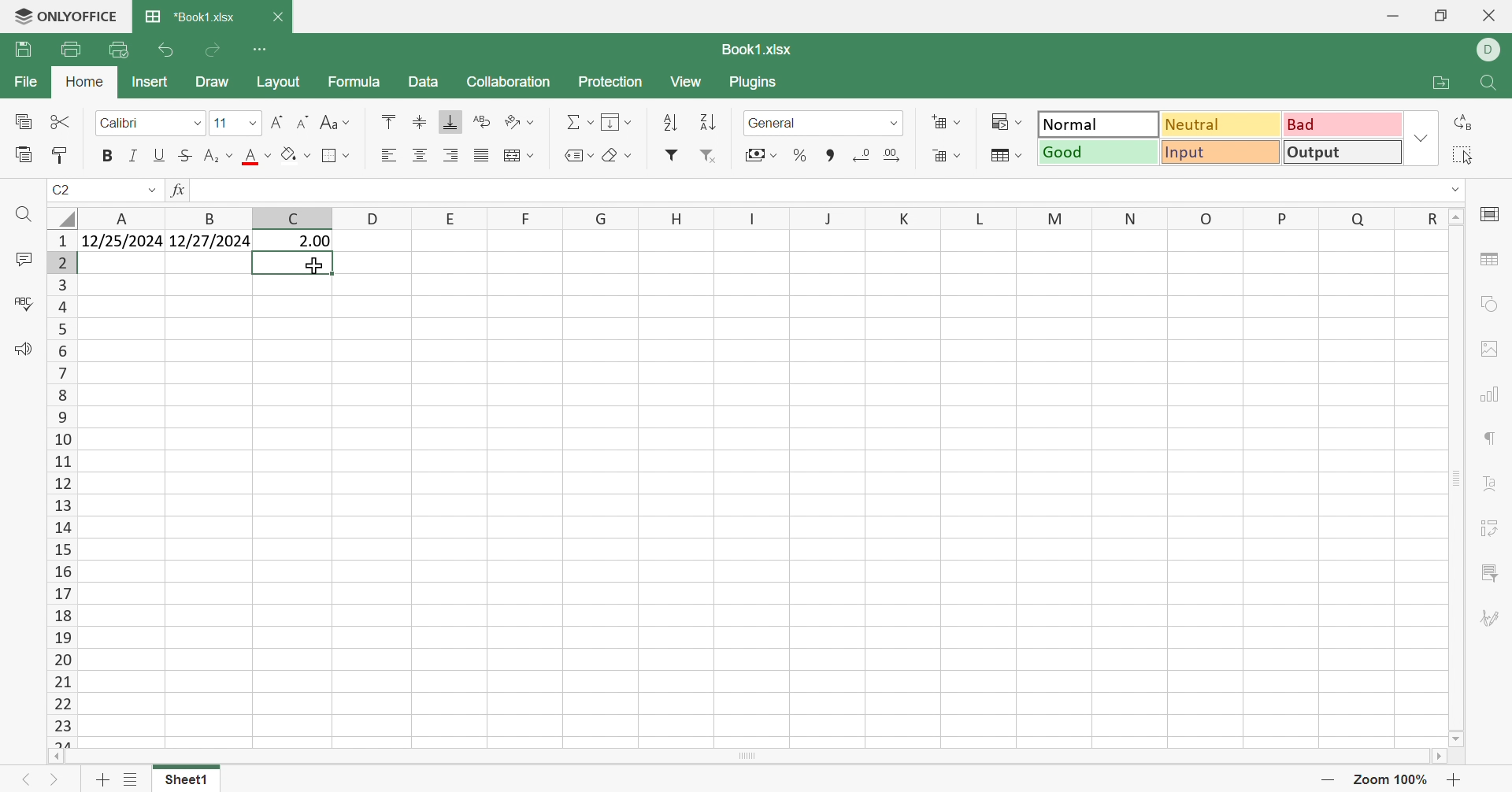 This screenshot has width=1512, height=792. I want to click on DELL, so click(1492, 50).